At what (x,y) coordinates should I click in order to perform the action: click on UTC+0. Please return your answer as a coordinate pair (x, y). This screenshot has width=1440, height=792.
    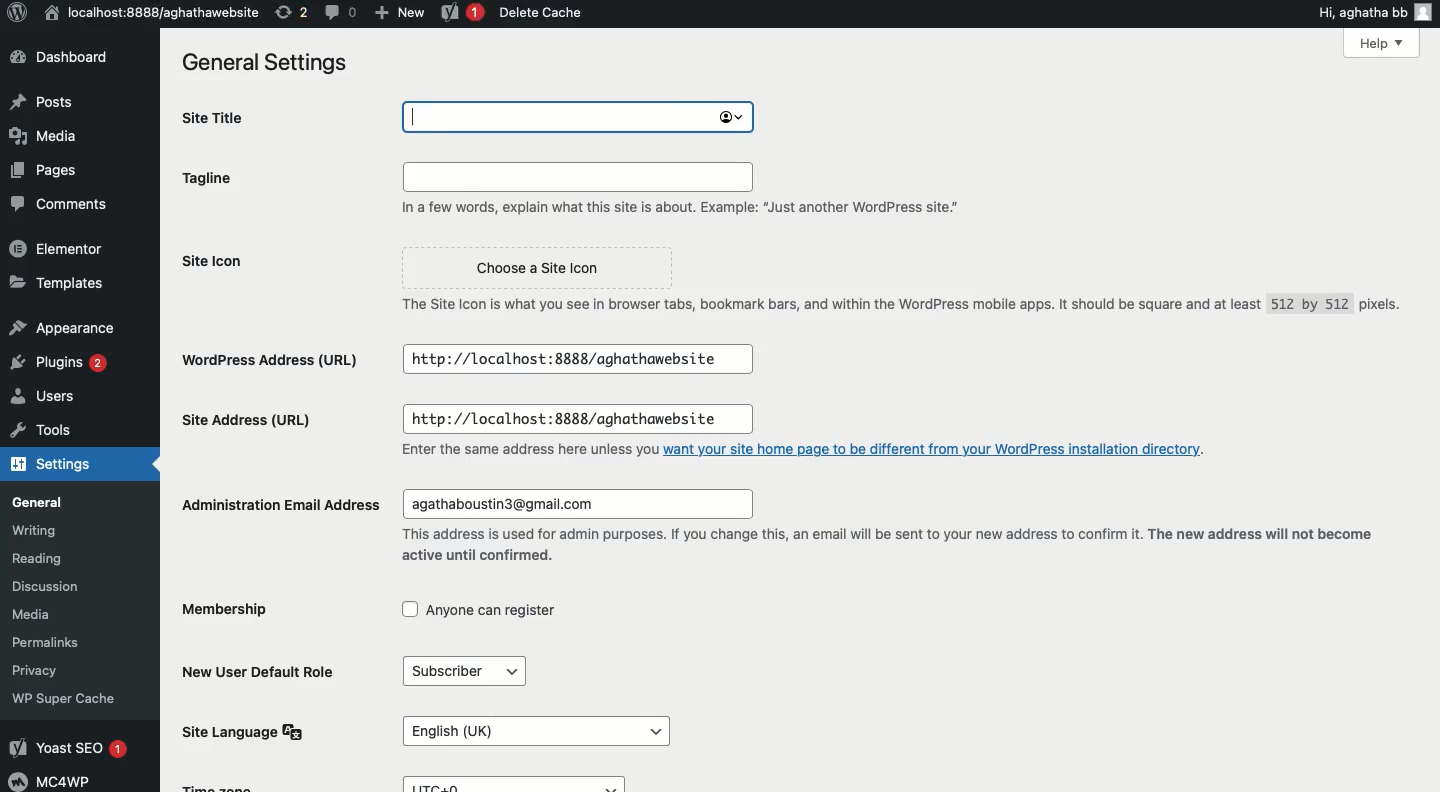
    Looking at the image, I should click on (520, 783).